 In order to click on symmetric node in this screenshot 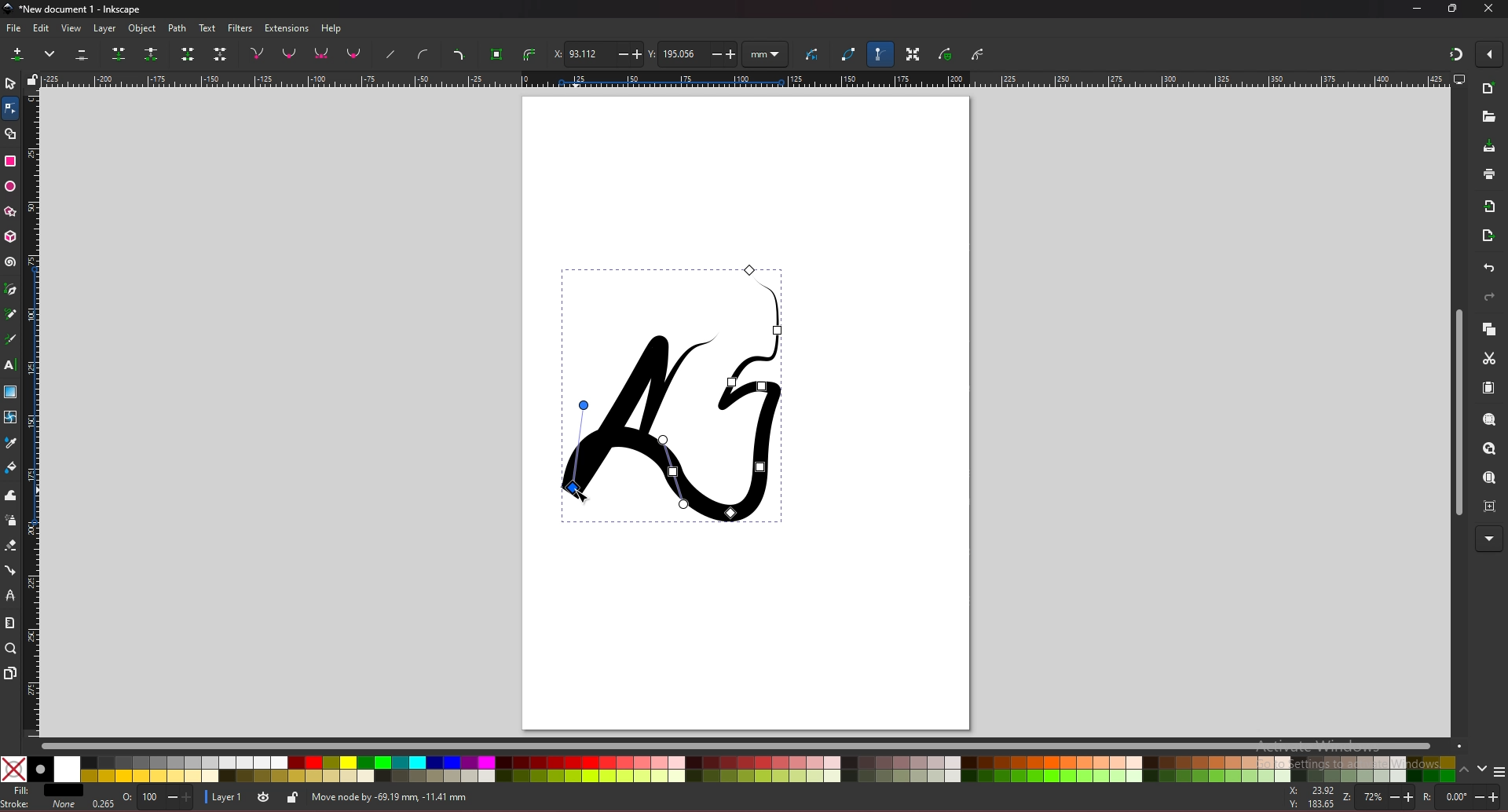, I will do `click(321, 53)`.